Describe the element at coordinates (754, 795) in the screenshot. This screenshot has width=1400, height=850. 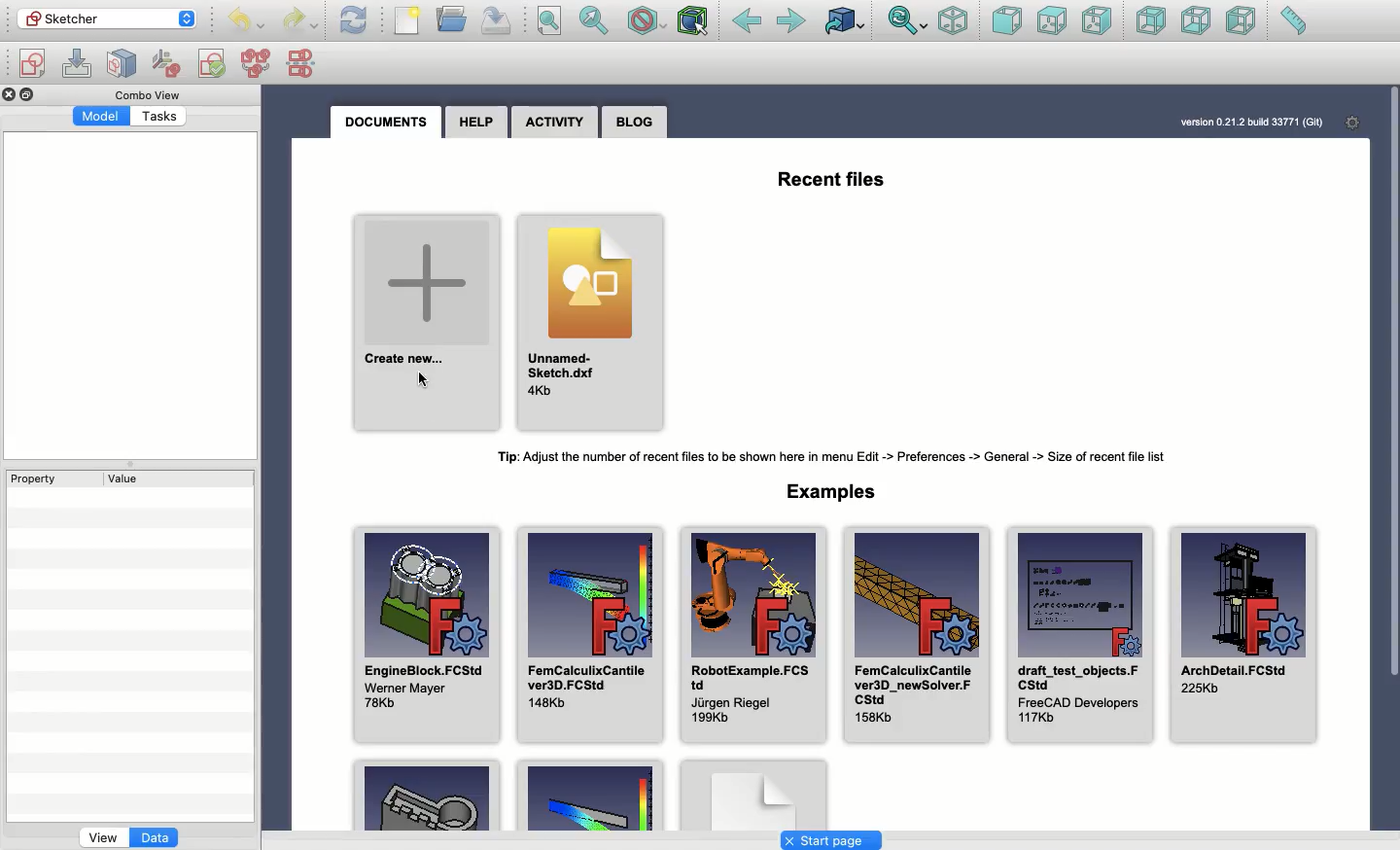
I see `Example 3` at that location.